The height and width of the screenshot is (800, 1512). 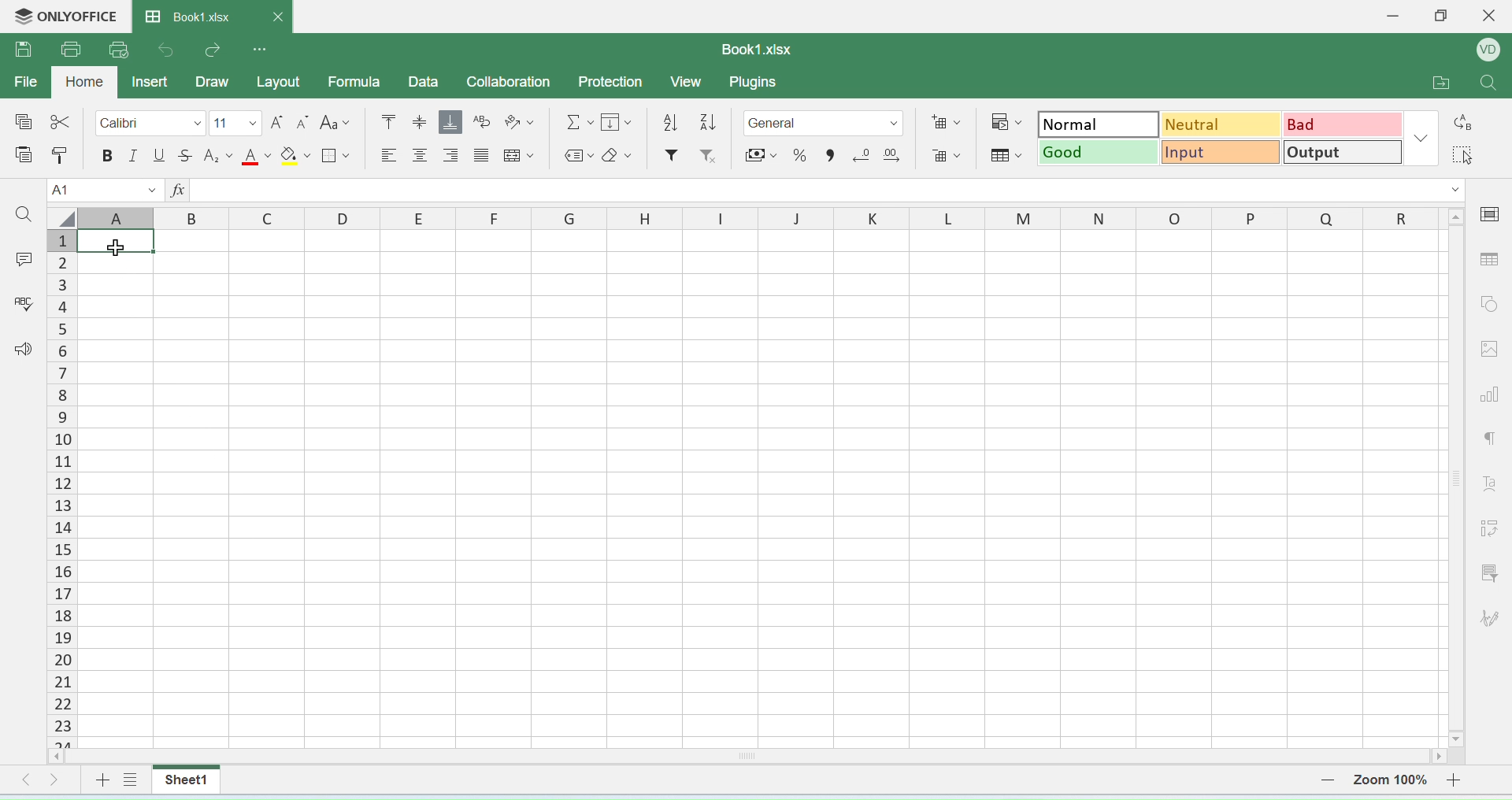 I want to click on view sheet, so click(x=132, y=788).